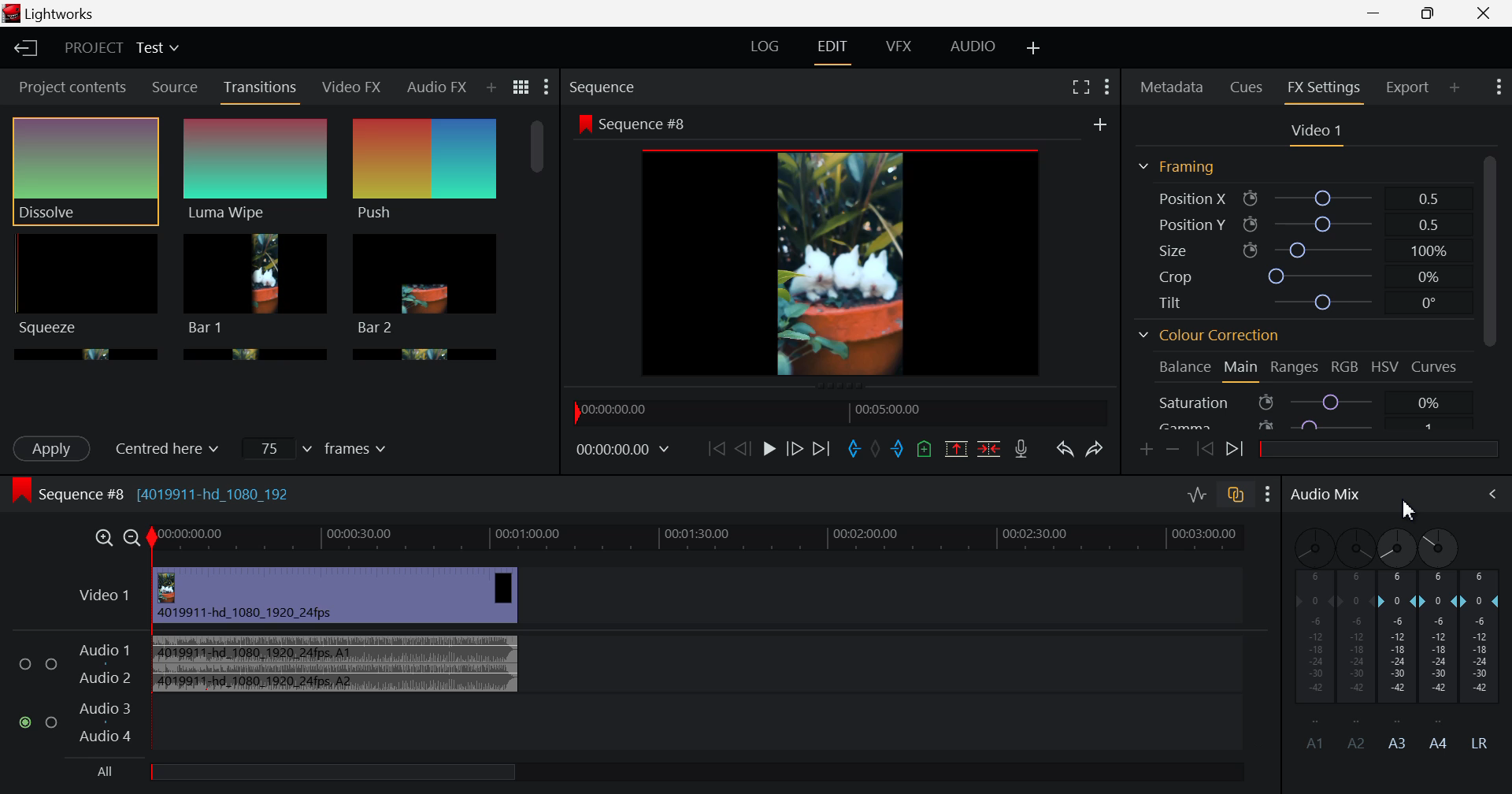 Image resolution: width=1512 pixels, height=794 pixels. I want to click on Record Voiceover , so click(1021, 448).